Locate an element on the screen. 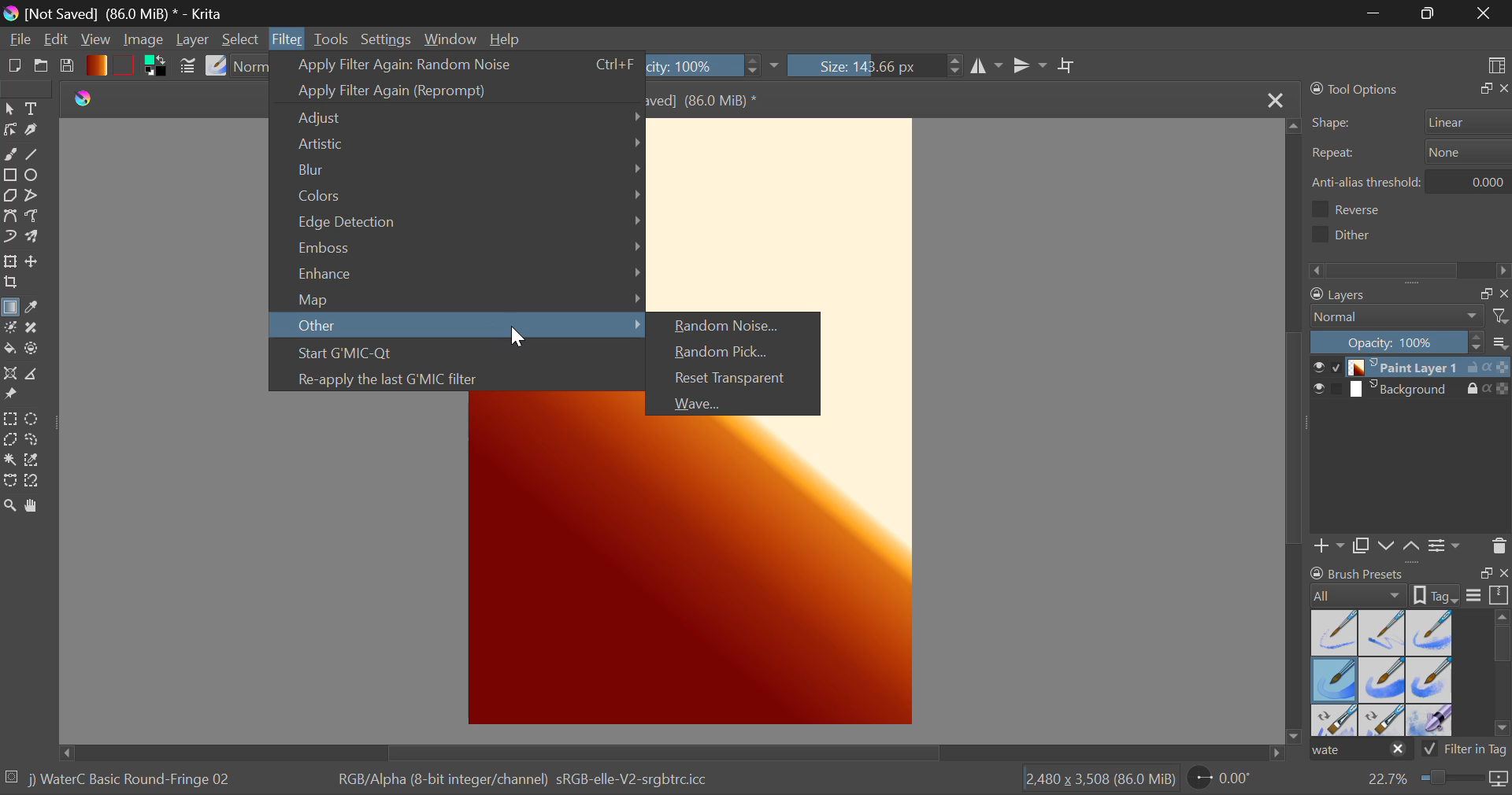 The width and height of the screenshot is (1512, 795). Measurements is located at coordinates (41, 374).